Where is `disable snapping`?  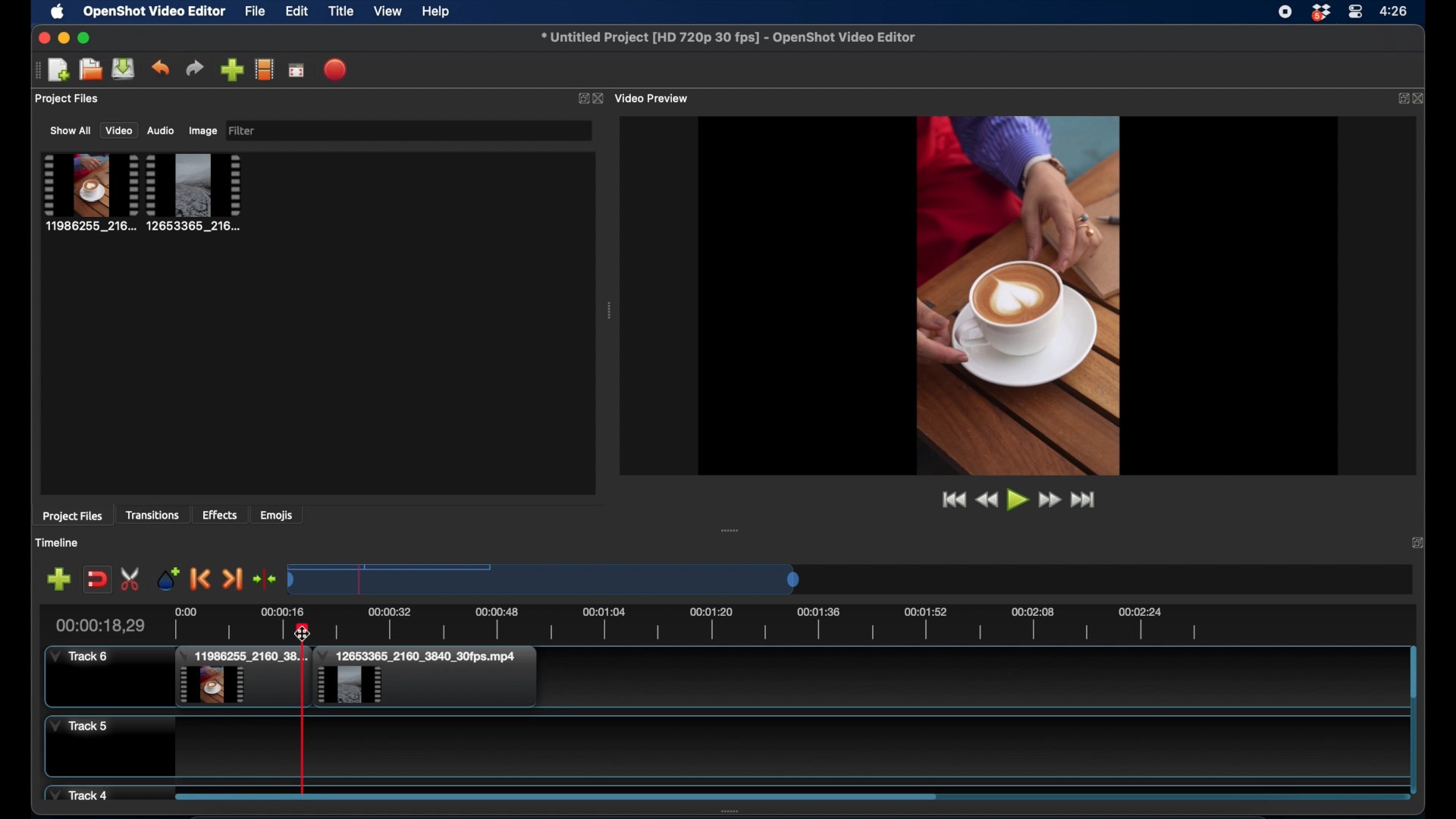
disable snapping is located at coordinates (97, 578).